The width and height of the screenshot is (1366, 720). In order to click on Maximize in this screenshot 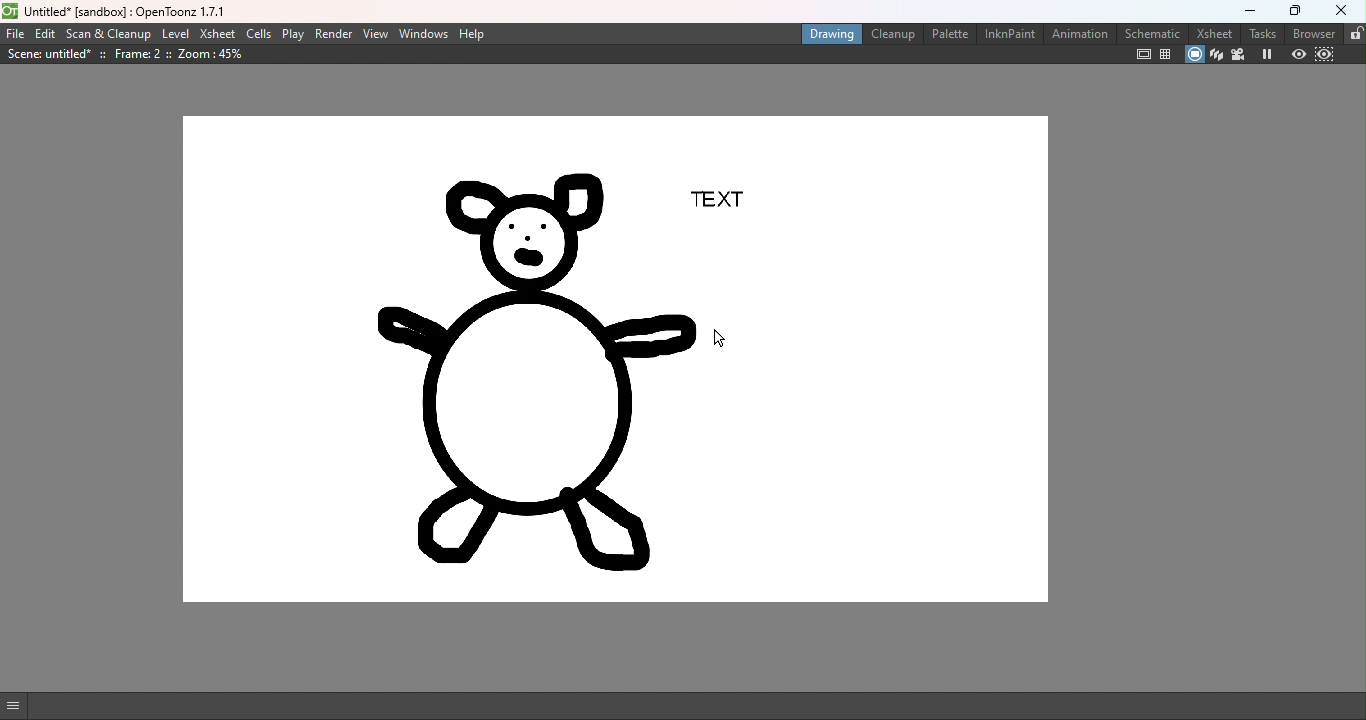, I will do `click(1298, 9)`.